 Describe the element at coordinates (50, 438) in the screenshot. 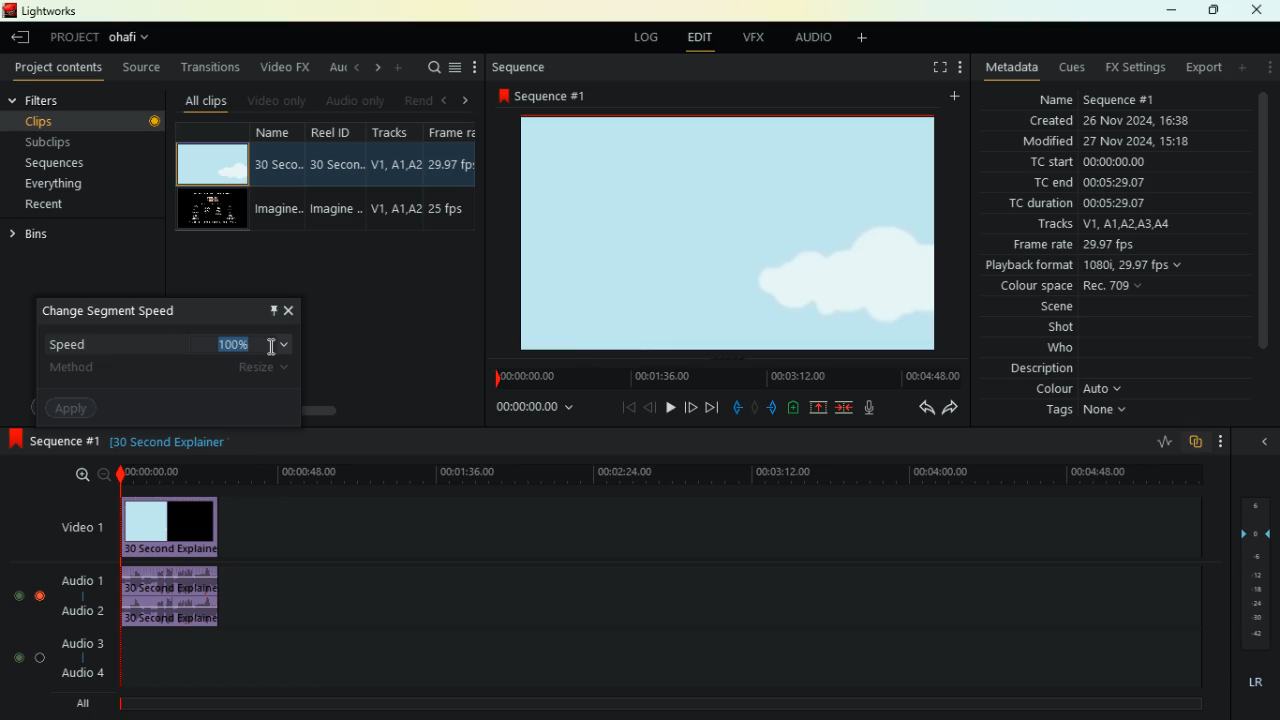

I see `sequence` at that location.